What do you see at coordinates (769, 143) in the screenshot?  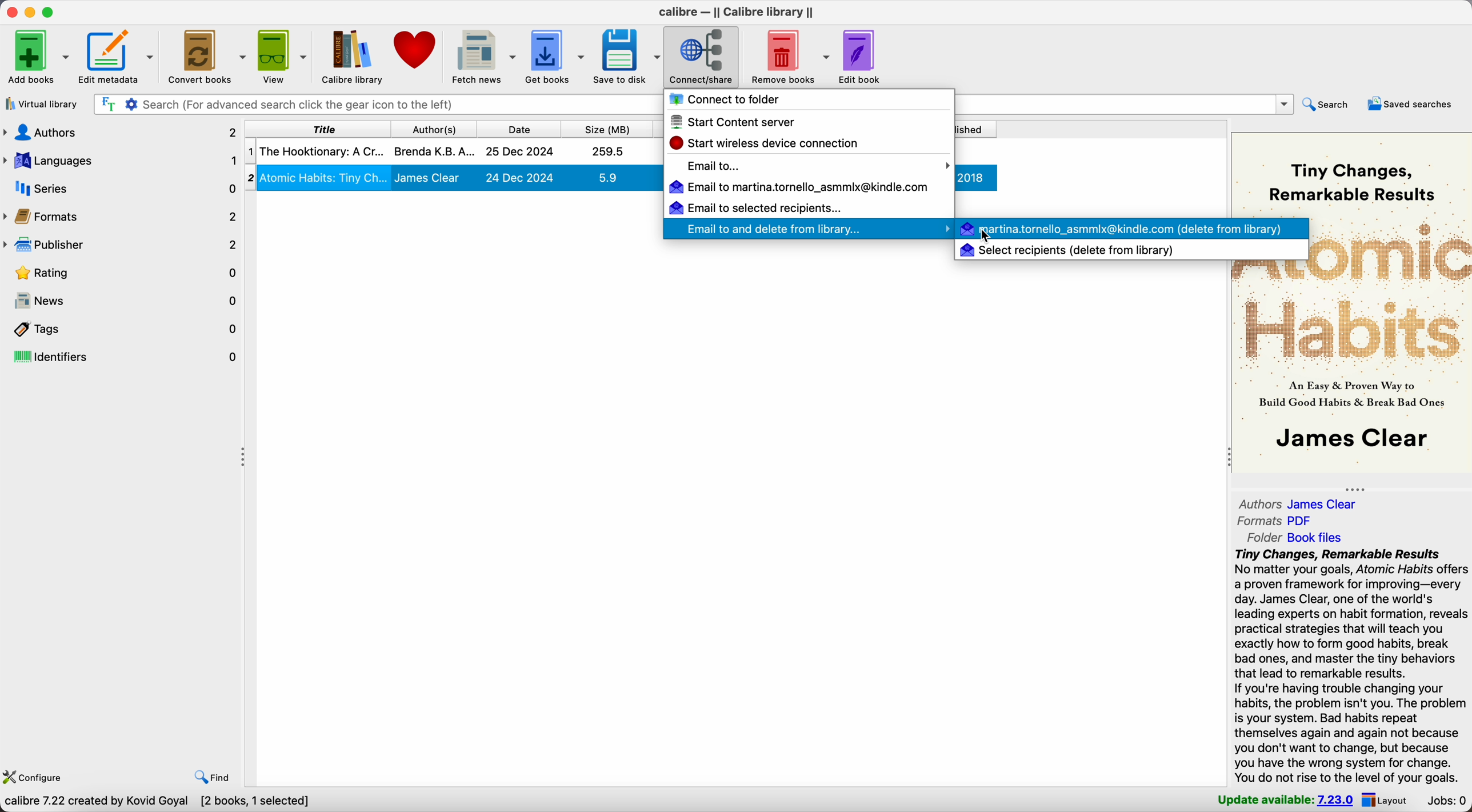 I see `start wireless device connection` at bounding box center [769, 143].